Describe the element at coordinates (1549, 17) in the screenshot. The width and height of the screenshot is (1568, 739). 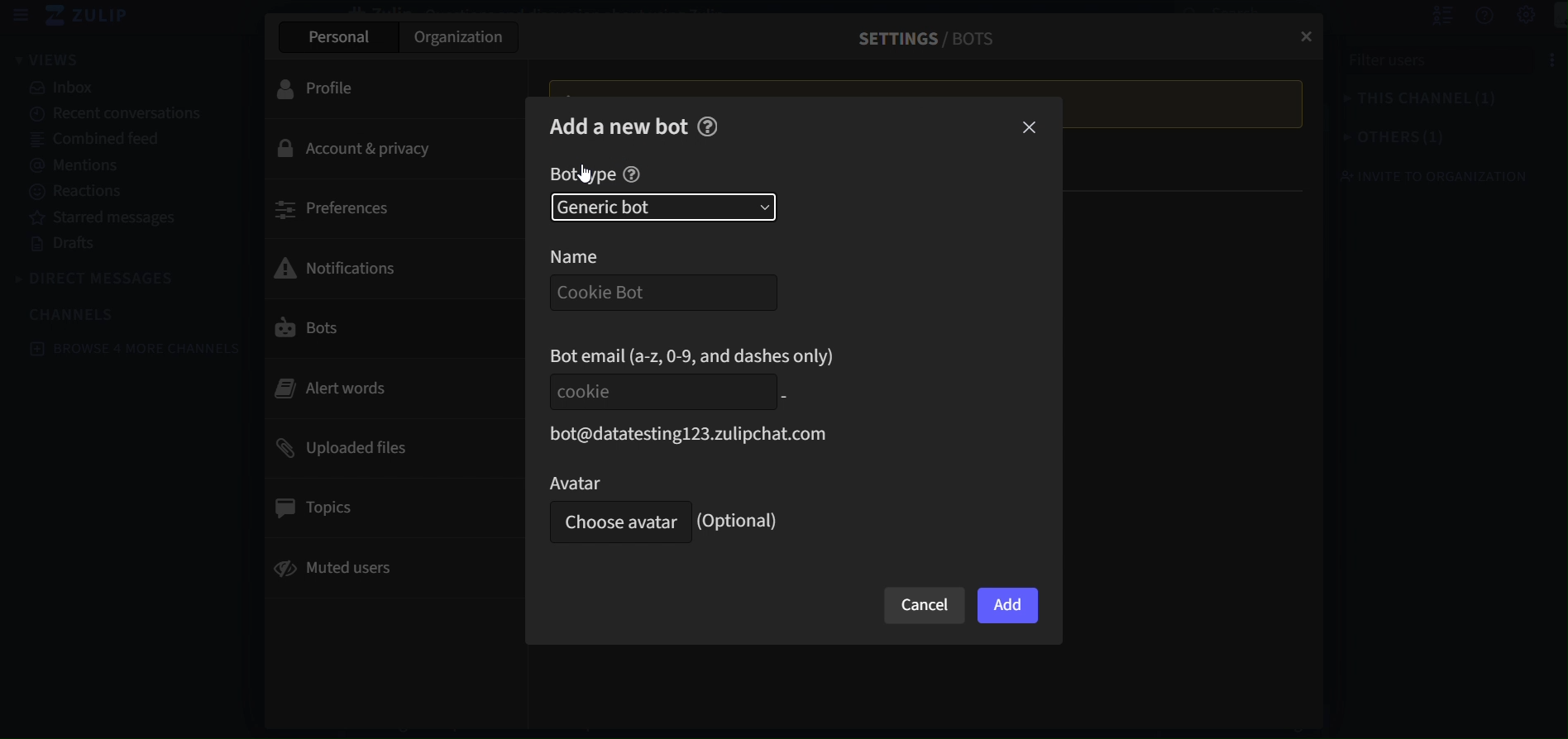
I see `main menu` at that location.